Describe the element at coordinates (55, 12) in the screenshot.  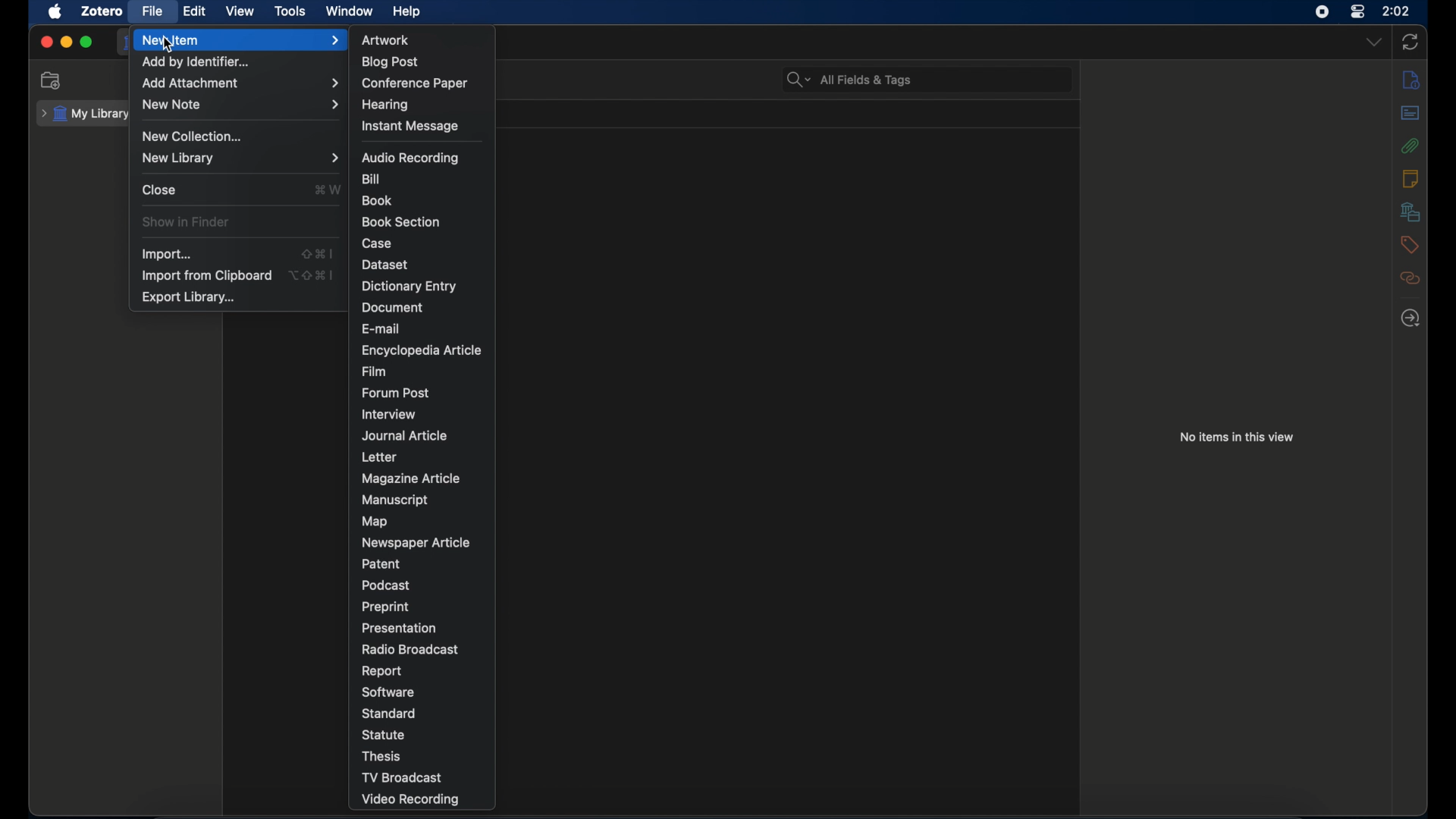
I see `apple` at that location.